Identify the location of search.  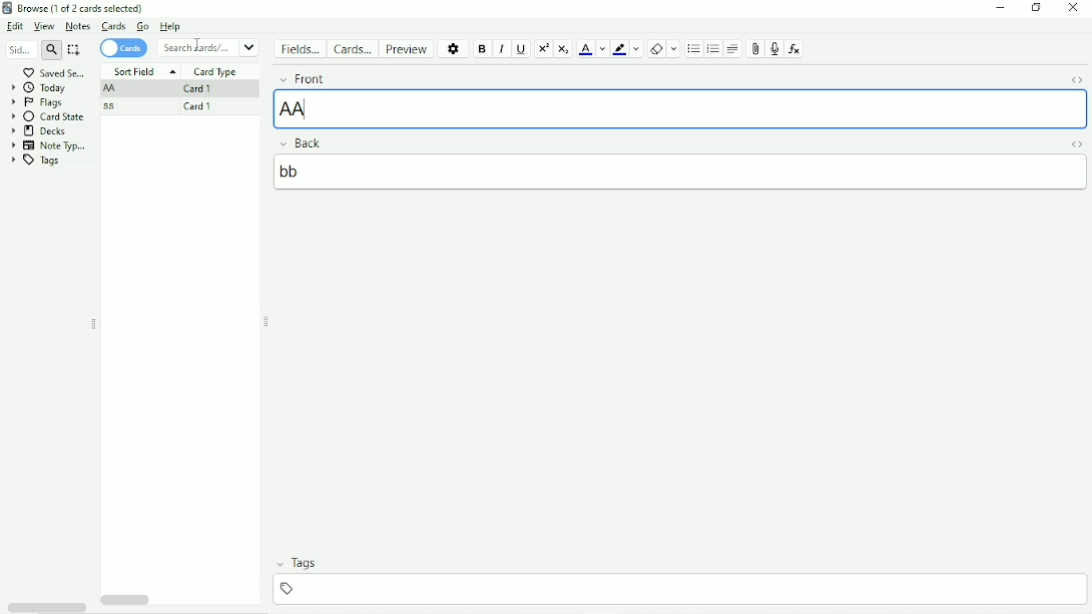
(51, 50).